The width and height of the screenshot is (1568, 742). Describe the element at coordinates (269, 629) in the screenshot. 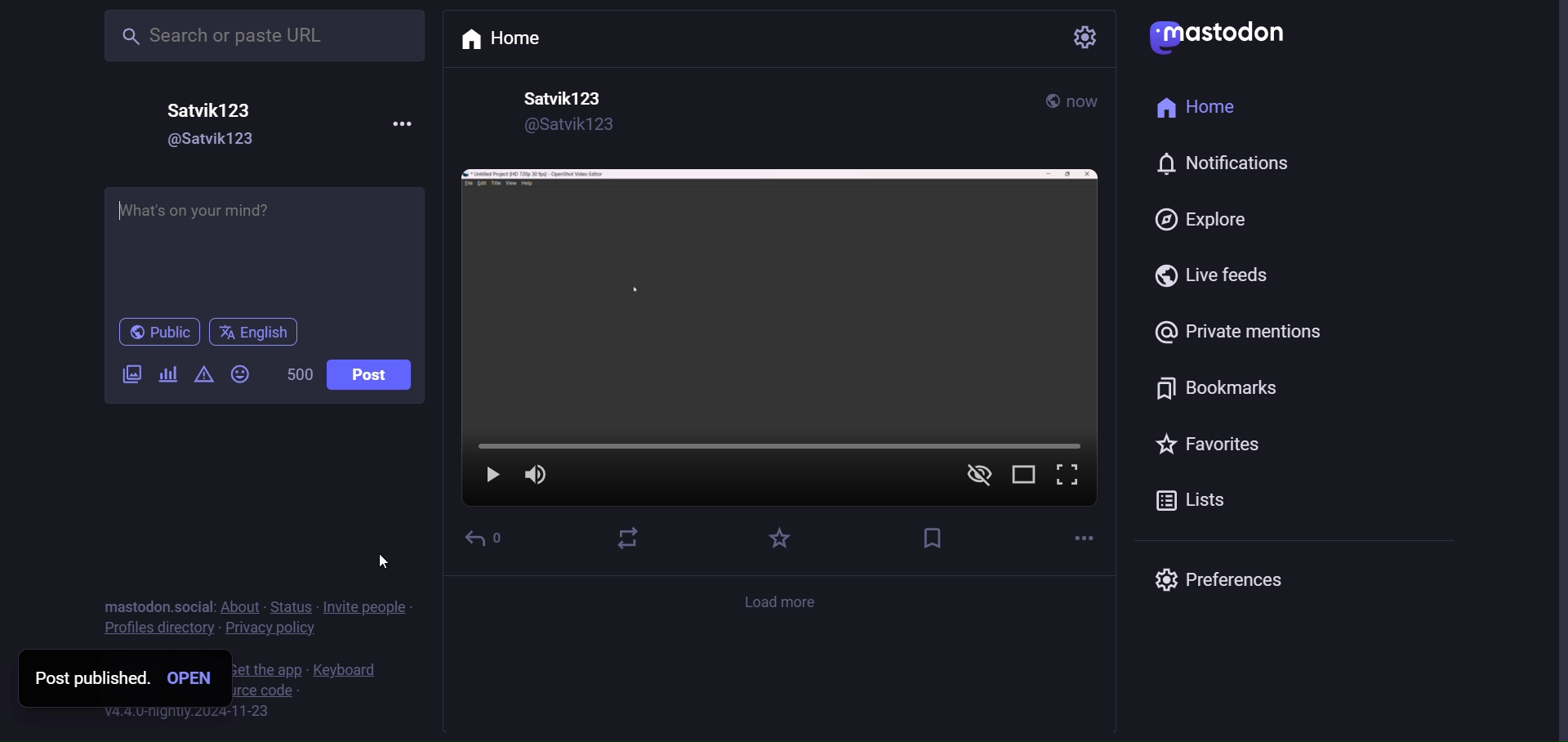

I see `privacy policy` at that location.